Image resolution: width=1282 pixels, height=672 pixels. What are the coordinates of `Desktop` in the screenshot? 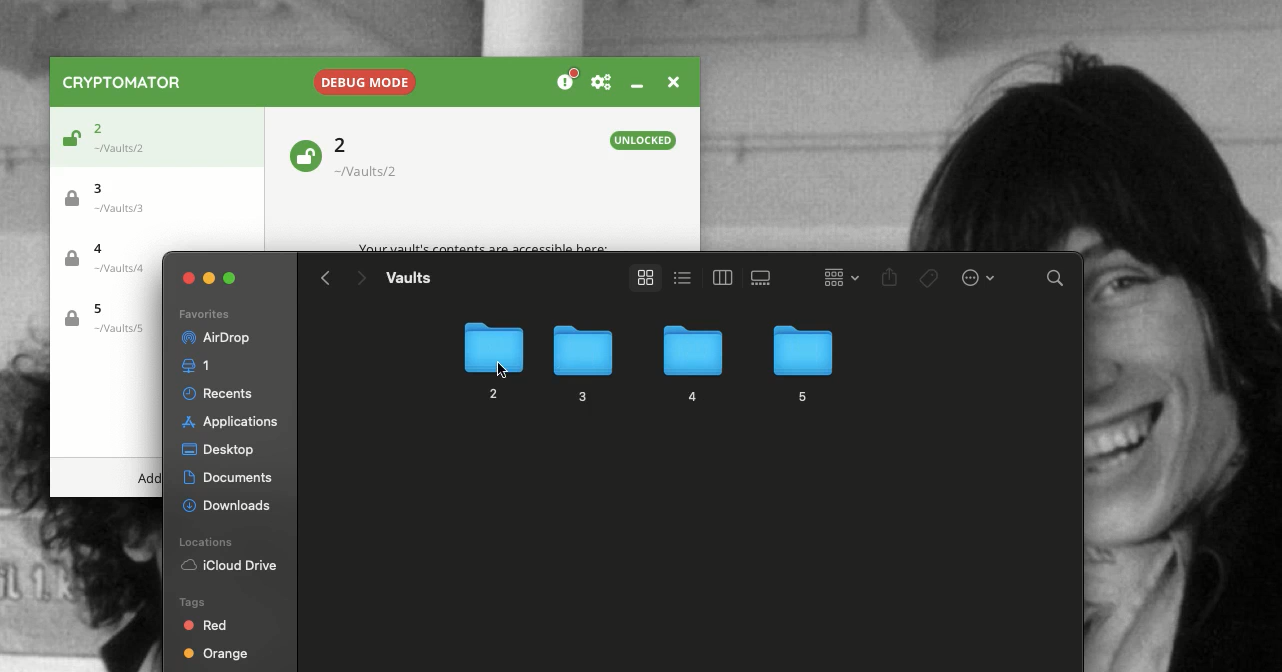 It's located at (218, 451).